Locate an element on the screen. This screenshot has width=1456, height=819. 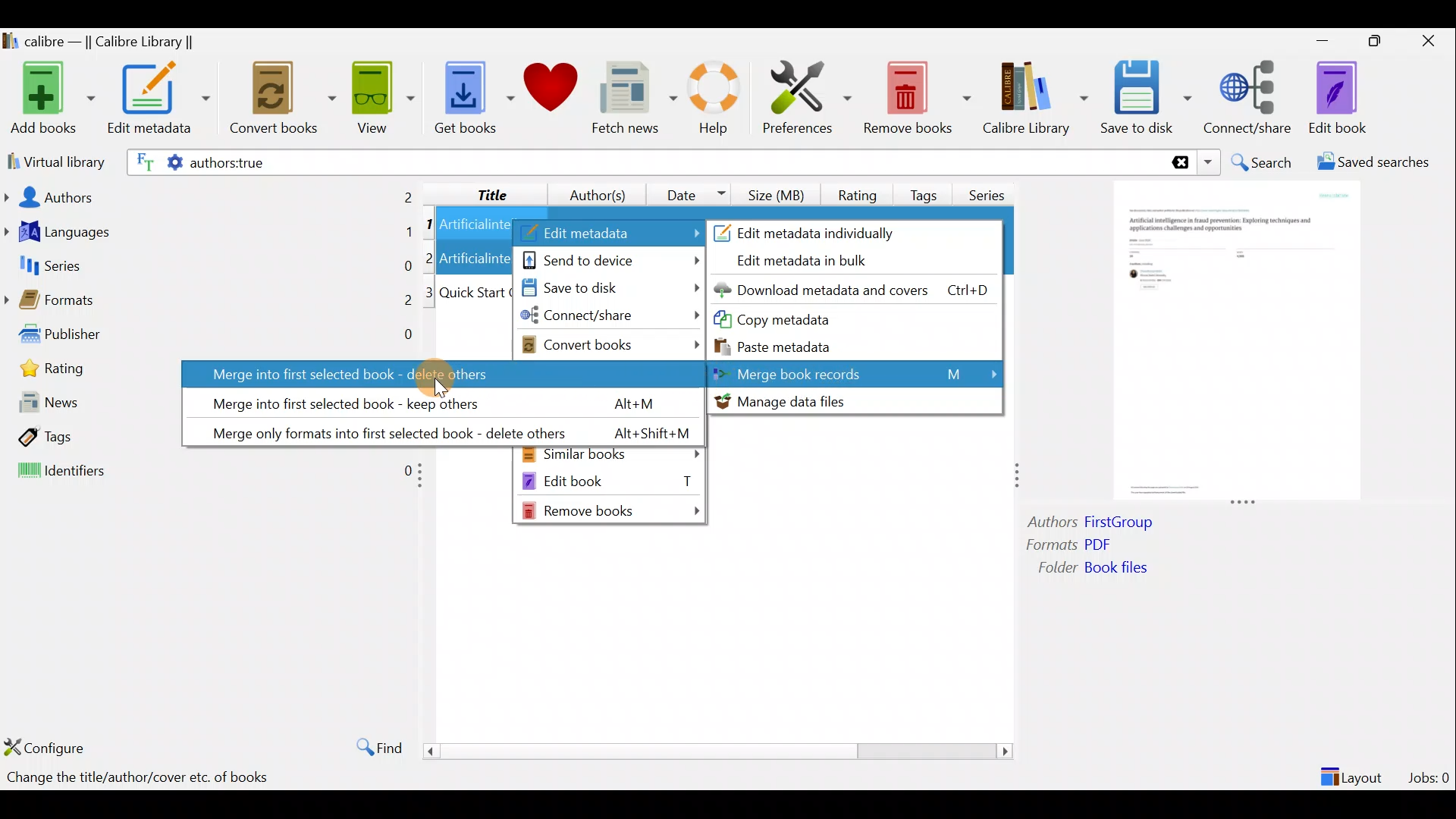
Fetch news is located at coordinates (631, 102).